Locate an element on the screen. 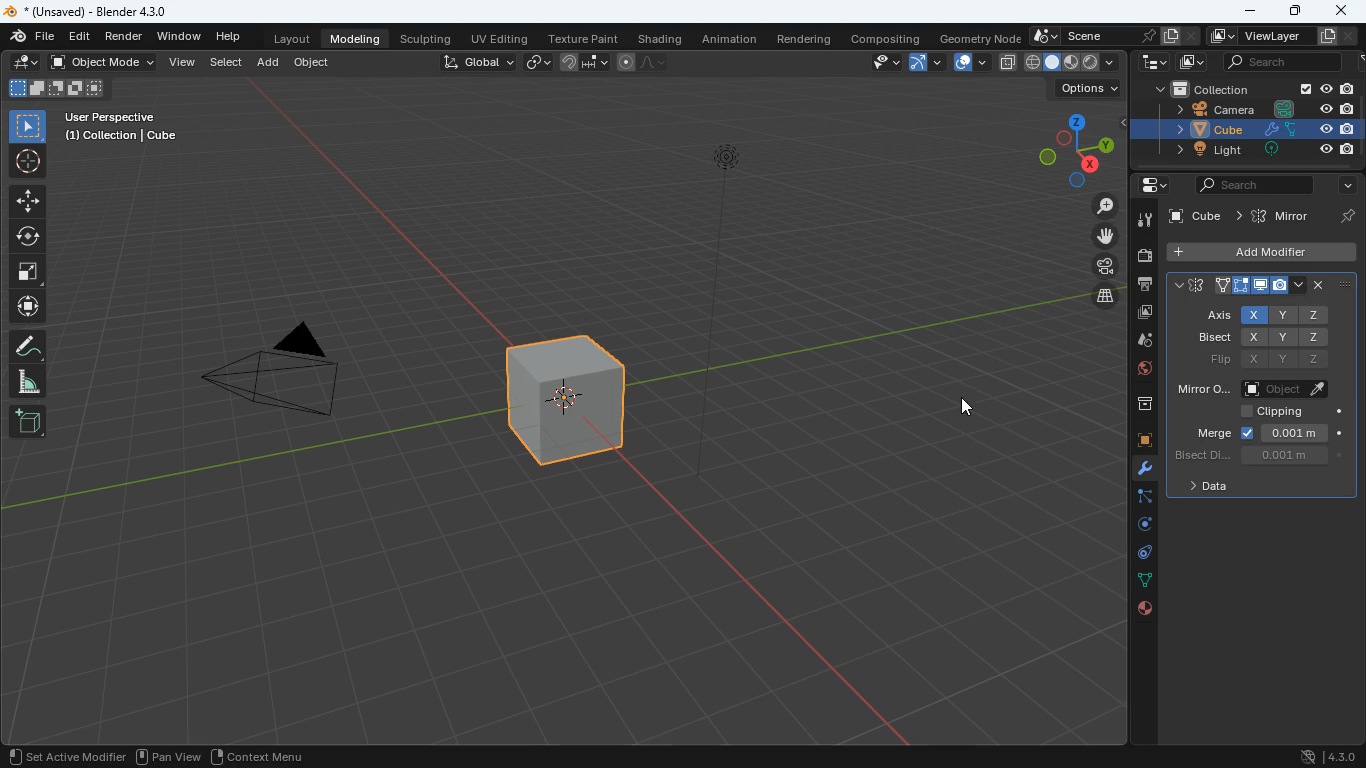 This screenshot has height=768, width=1366. camera is located at coordinates (289, 376).